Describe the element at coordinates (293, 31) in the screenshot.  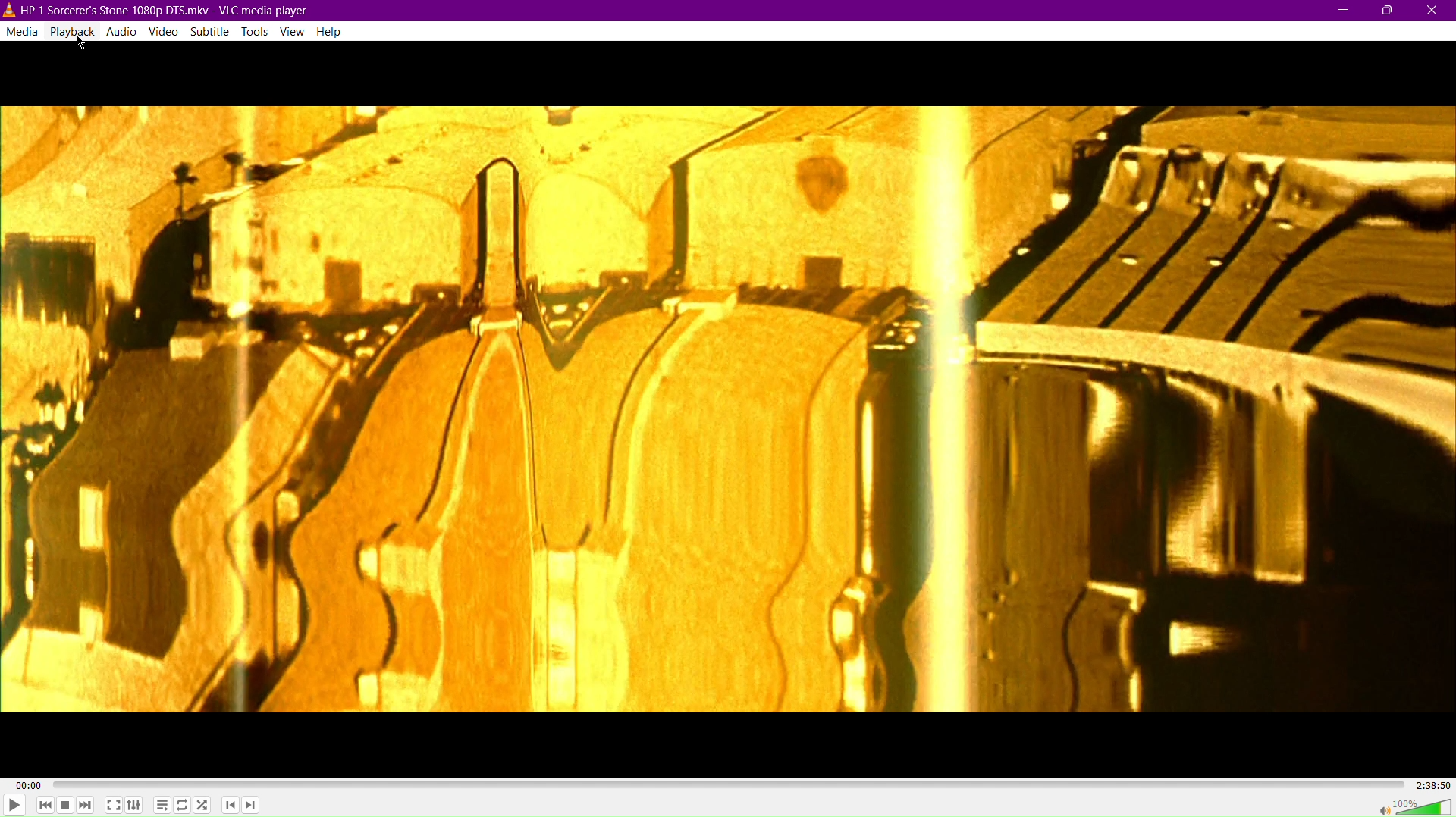
I see `View` at that location.